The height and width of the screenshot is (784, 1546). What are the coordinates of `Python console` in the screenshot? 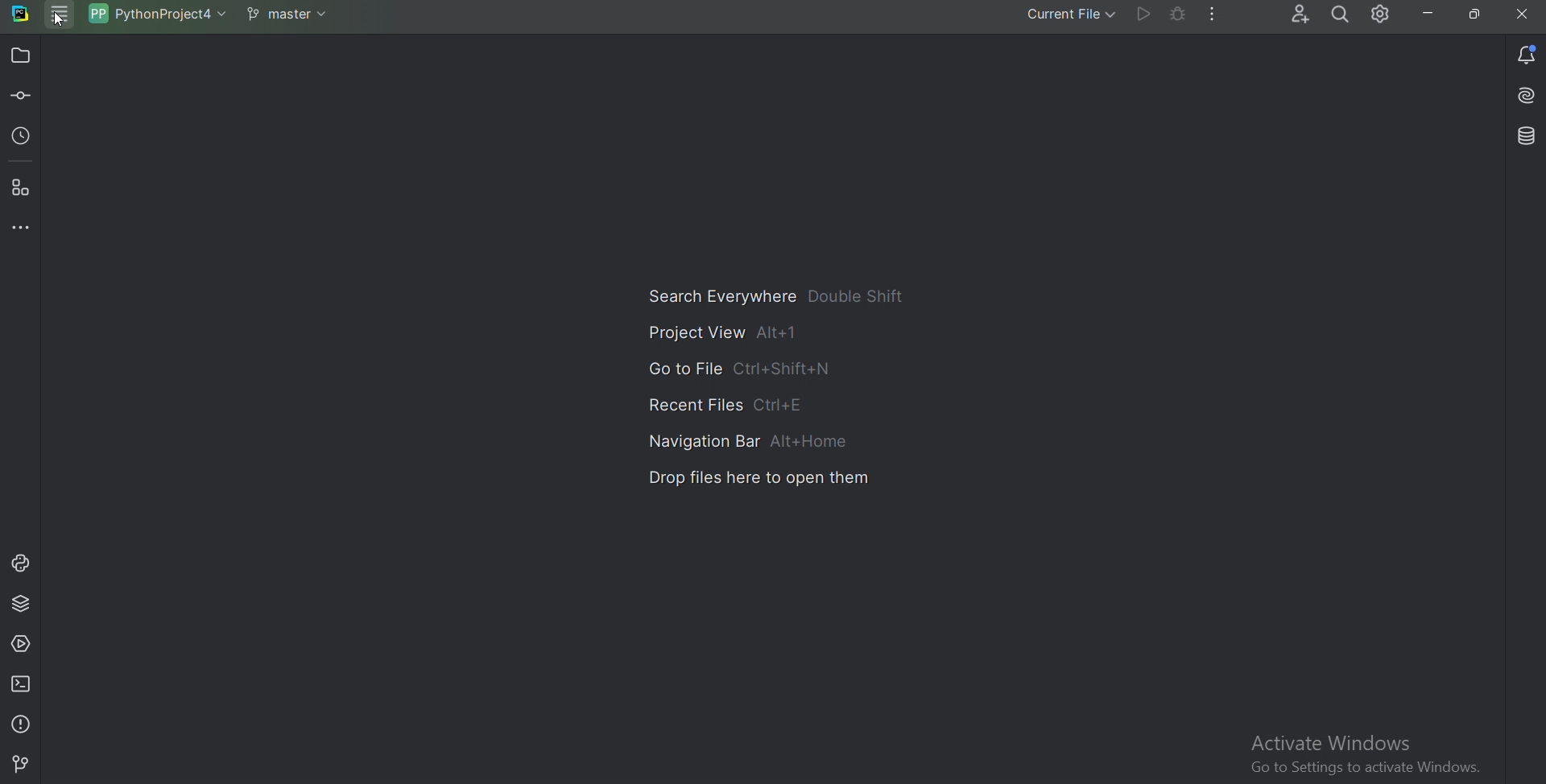 It's located at (20, 563).